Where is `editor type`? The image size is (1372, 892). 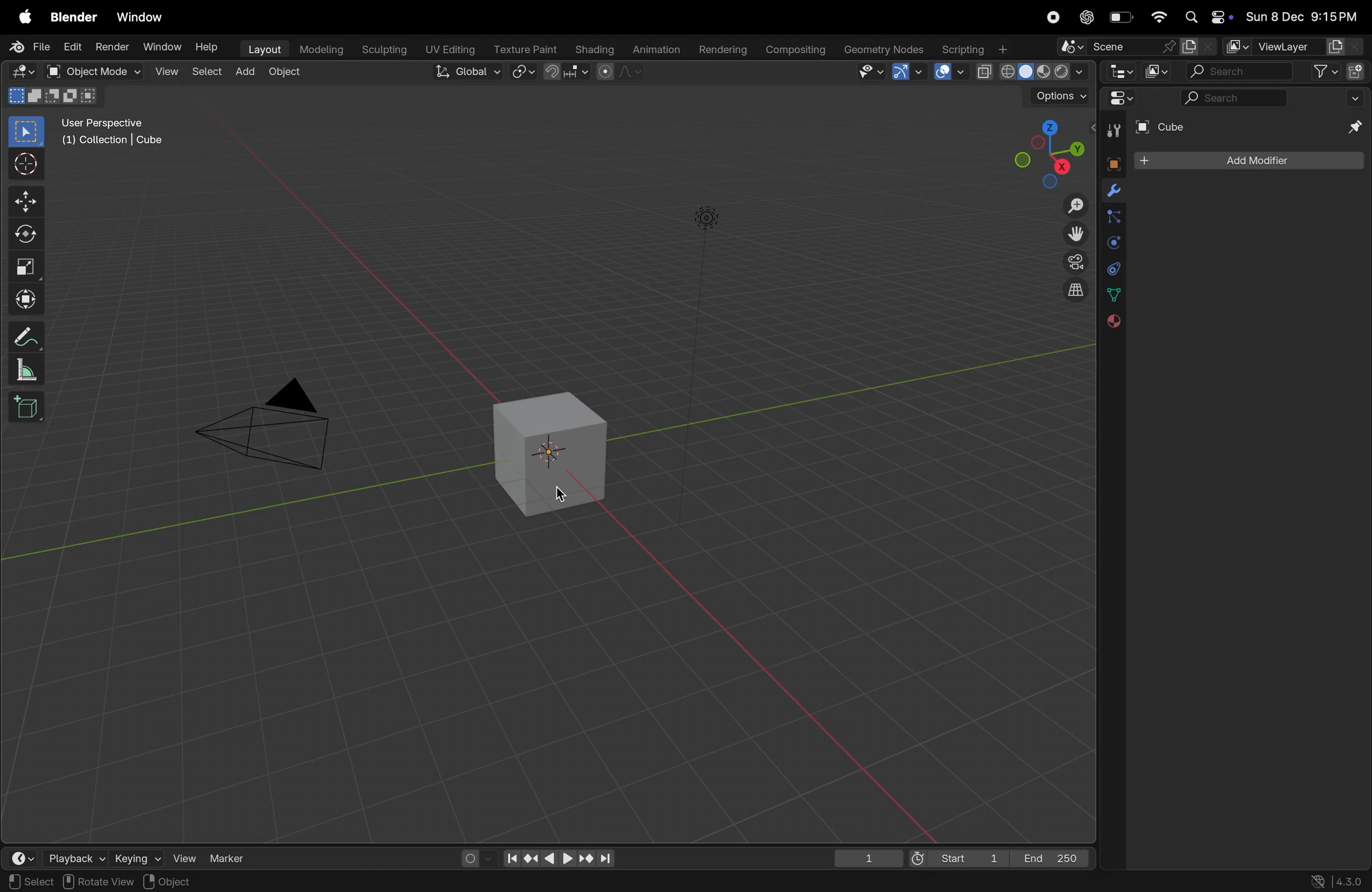 editor type is located at coordinates (24, 858).